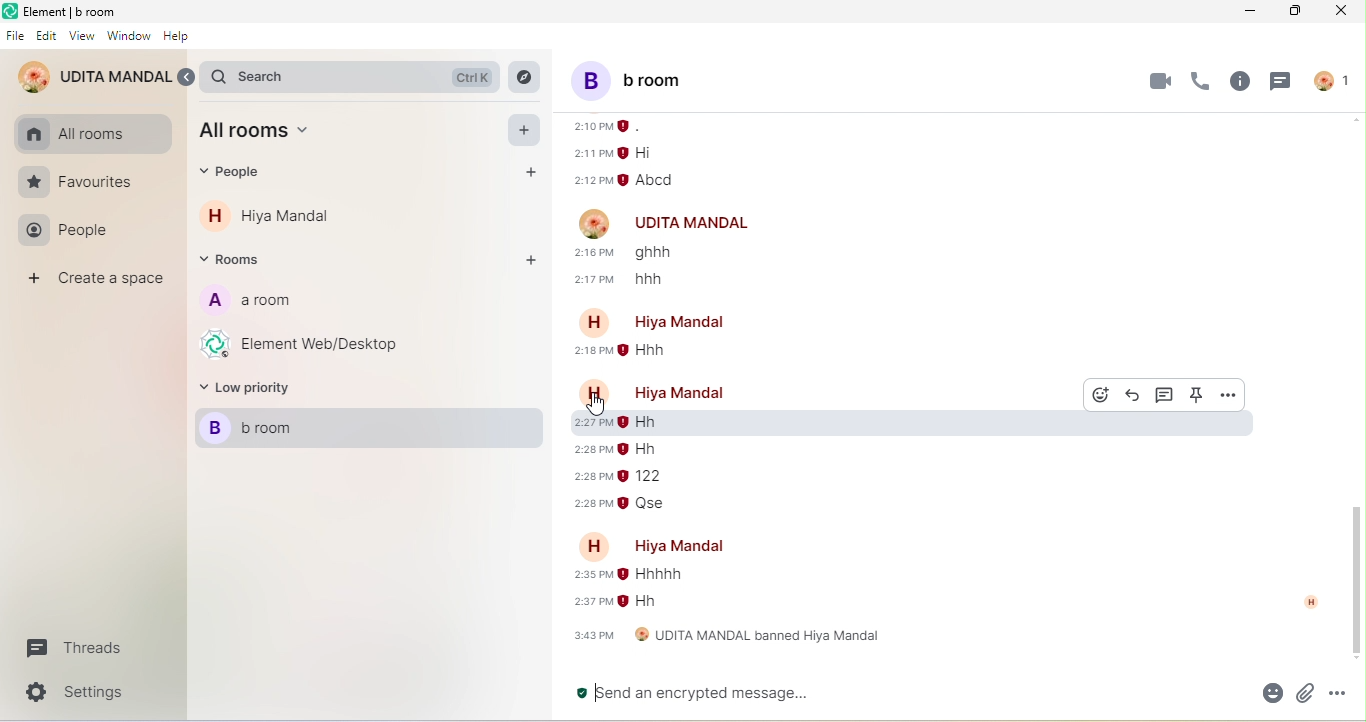 Image resolution: width=1366 pixels, height=722 pixels. What do you see at coordinates (1294, 11) in the screenshot?
I see `maximize` at bounding box center [1294, 11].